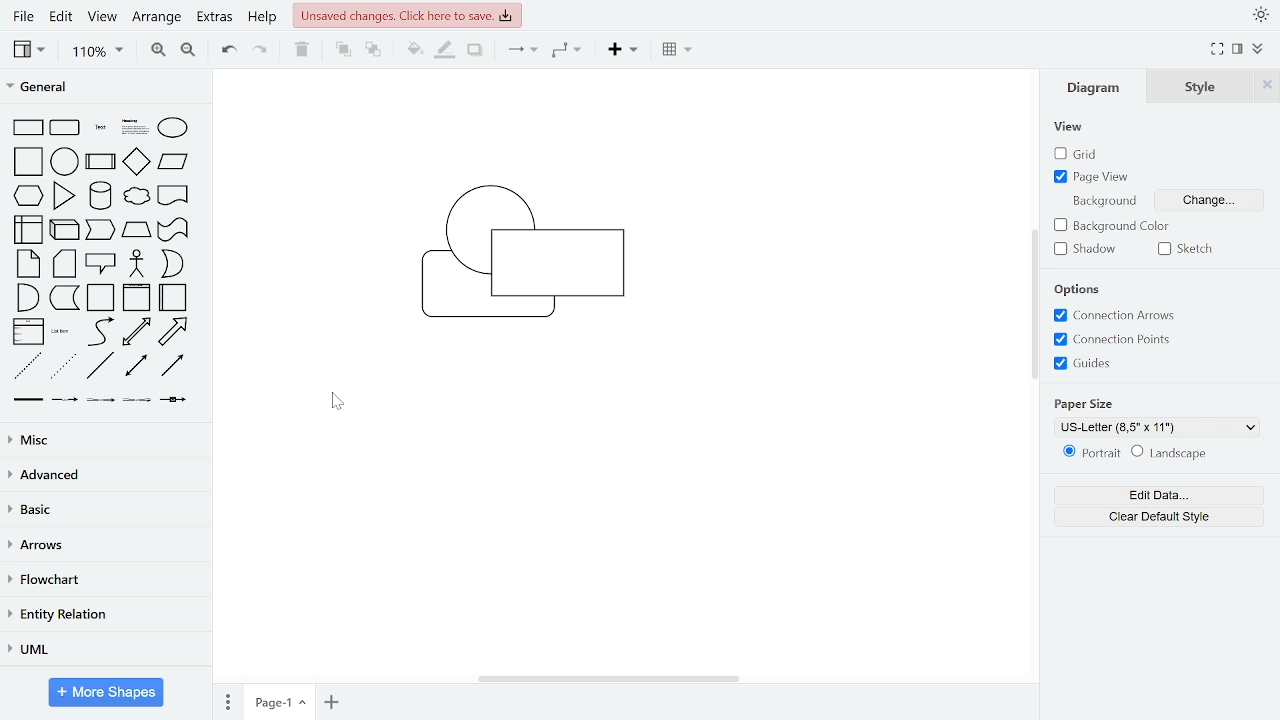 The width and height of the screenshot is (1280, 720). Describe the element at coordinates (1270, 86) in the screenshot. I see `close` at that location.